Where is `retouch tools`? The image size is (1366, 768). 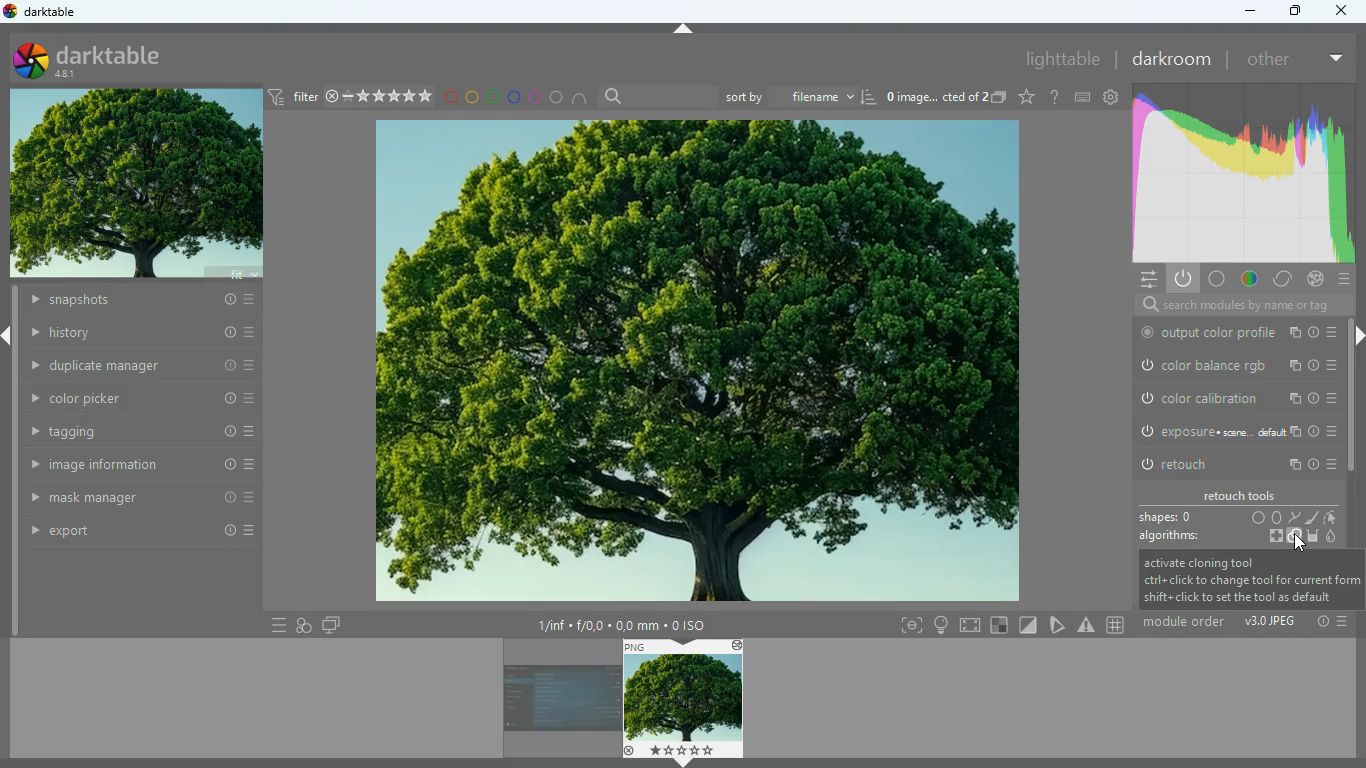
retouch tools is located at coordinates (1241, 495).